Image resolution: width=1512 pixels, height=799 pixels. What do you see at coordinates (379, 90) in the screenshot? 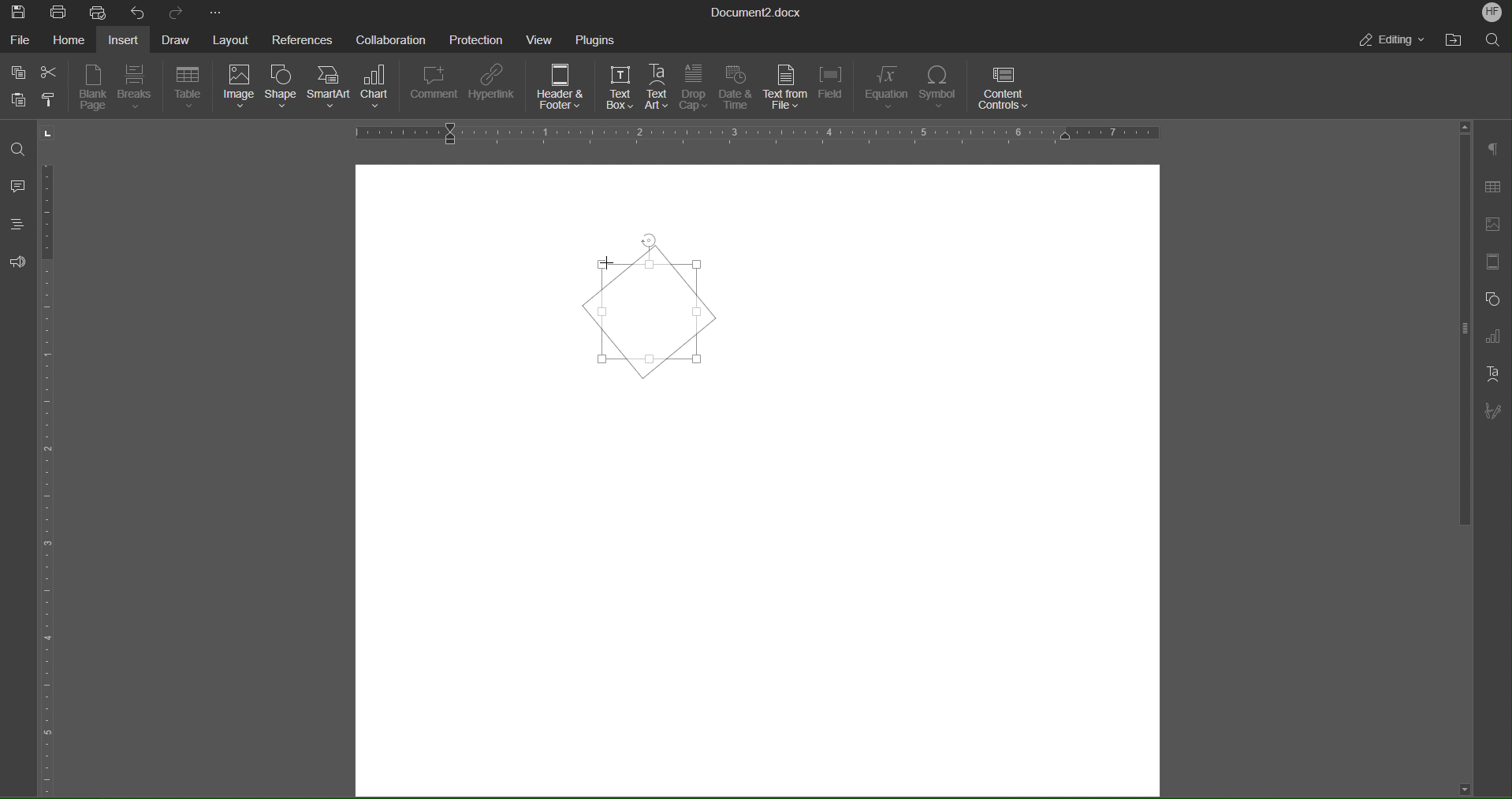
I see `Chart` at bounding box center [379, 90].